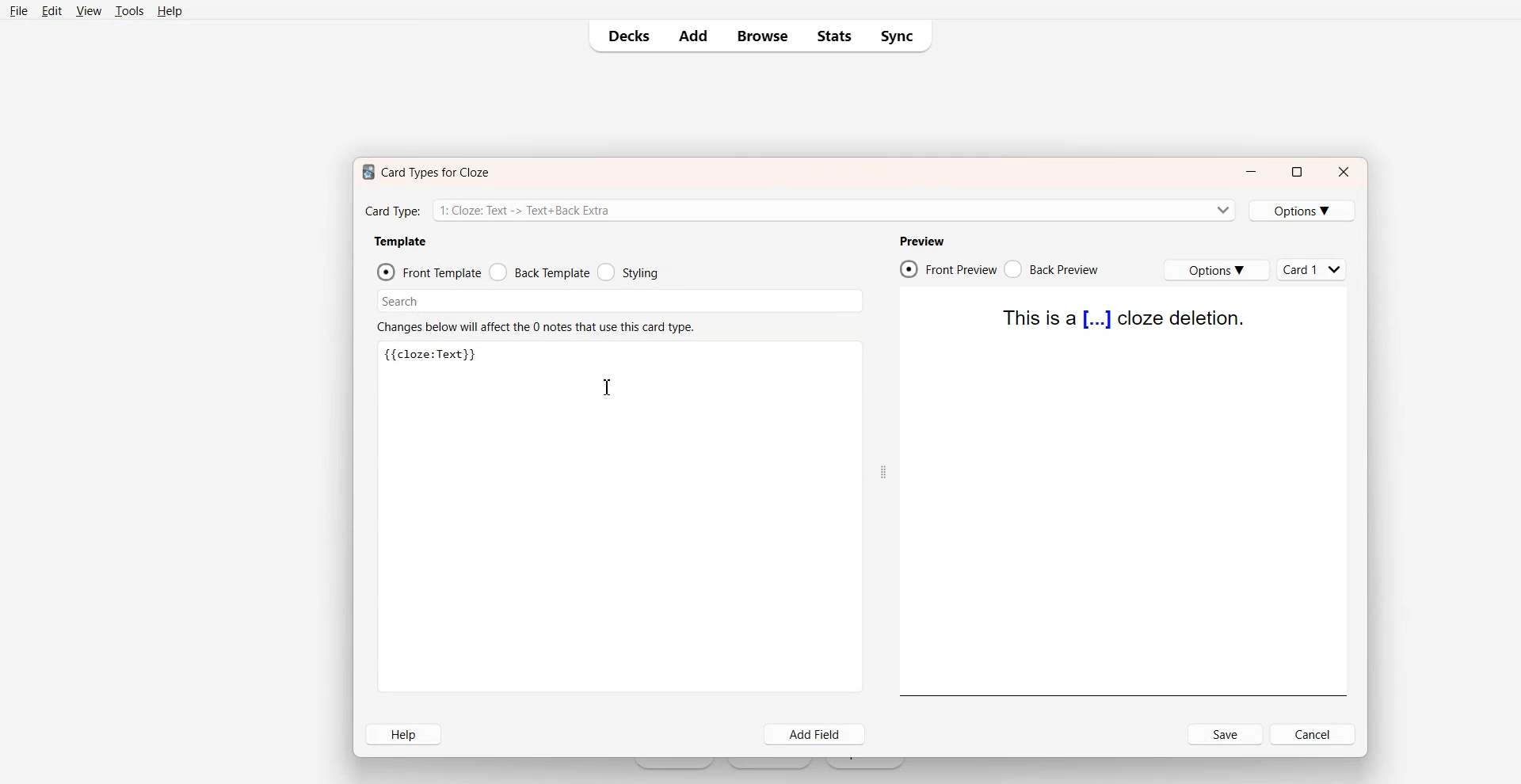  I want to click on Add, so click(692, 36).